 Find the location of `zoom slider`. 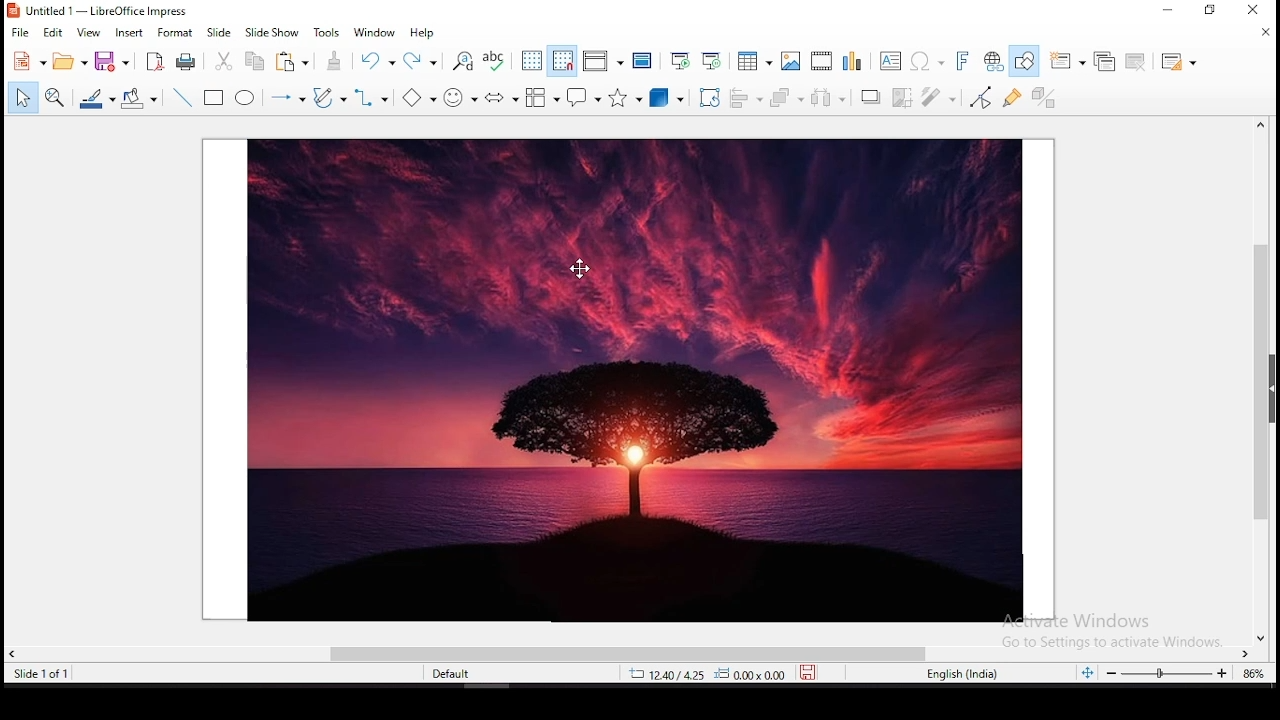

zoom slider is located at coordinates (1167, 674).